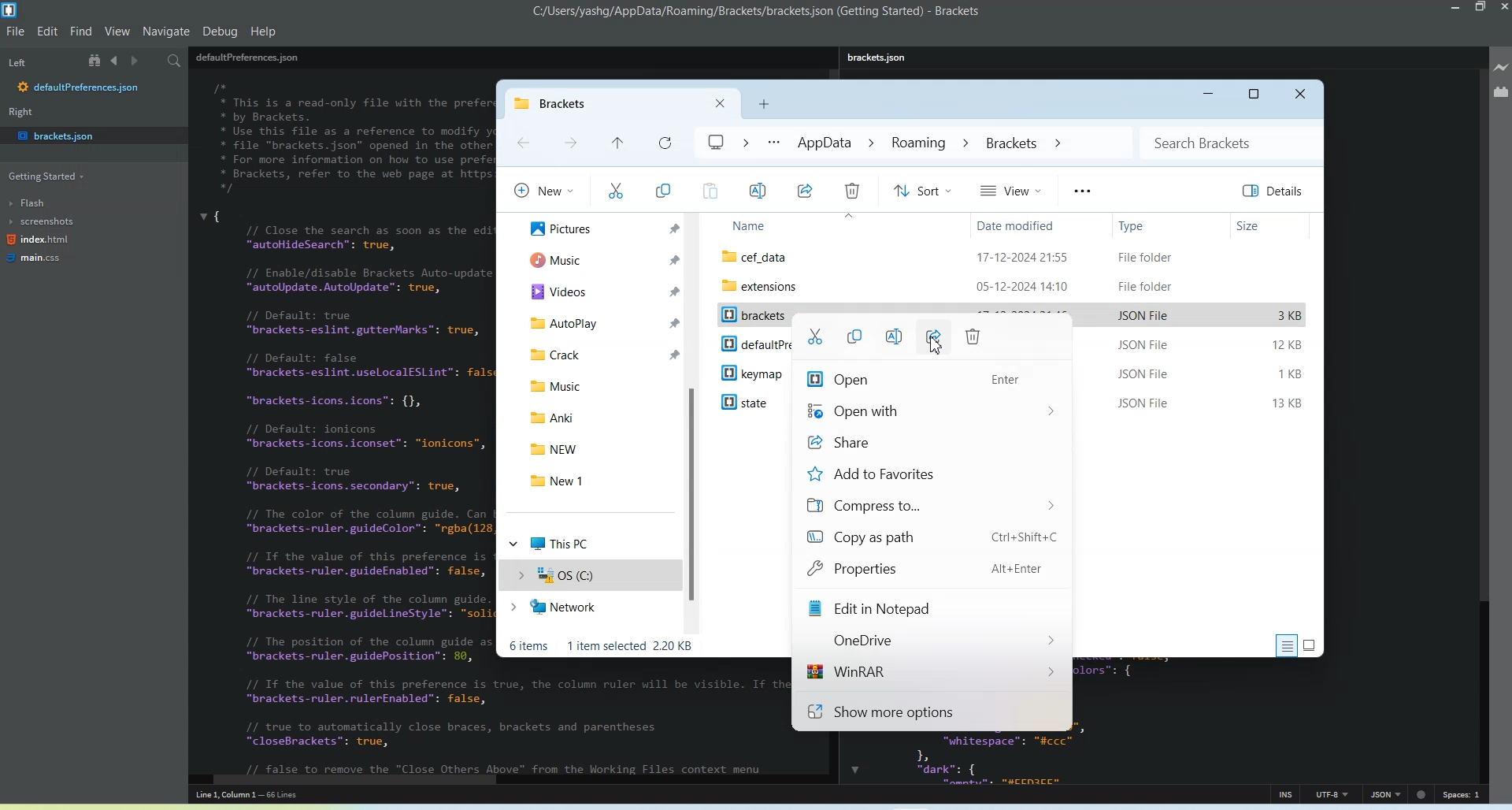  Describe the element at coordinates (617, 144) in the screenshot. I see `Recent File` at that location.